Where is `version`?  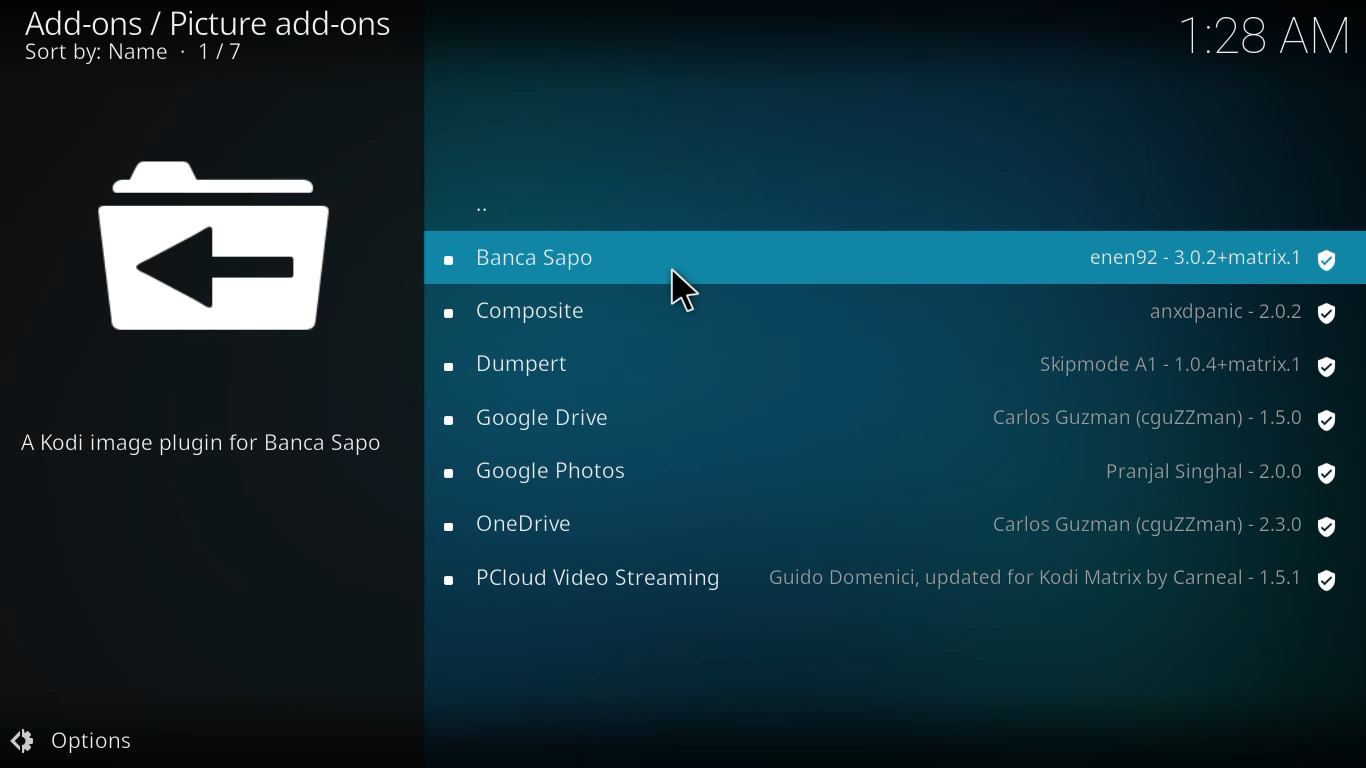
version is located at coordinates (1161, 417).